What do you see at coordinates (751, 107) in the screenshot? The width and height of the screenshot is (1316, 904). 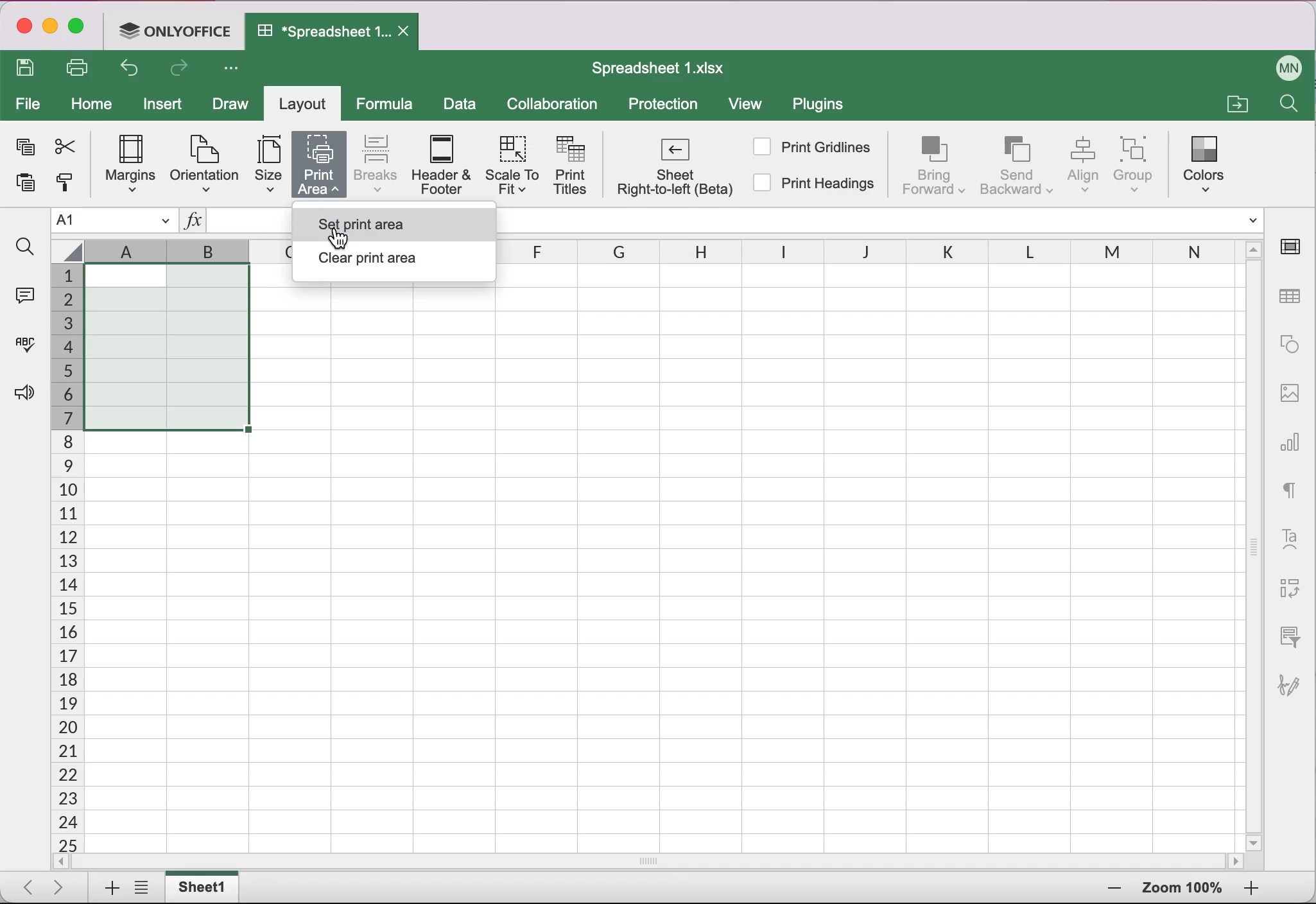 I see `view` at bounding box center [751, 107].